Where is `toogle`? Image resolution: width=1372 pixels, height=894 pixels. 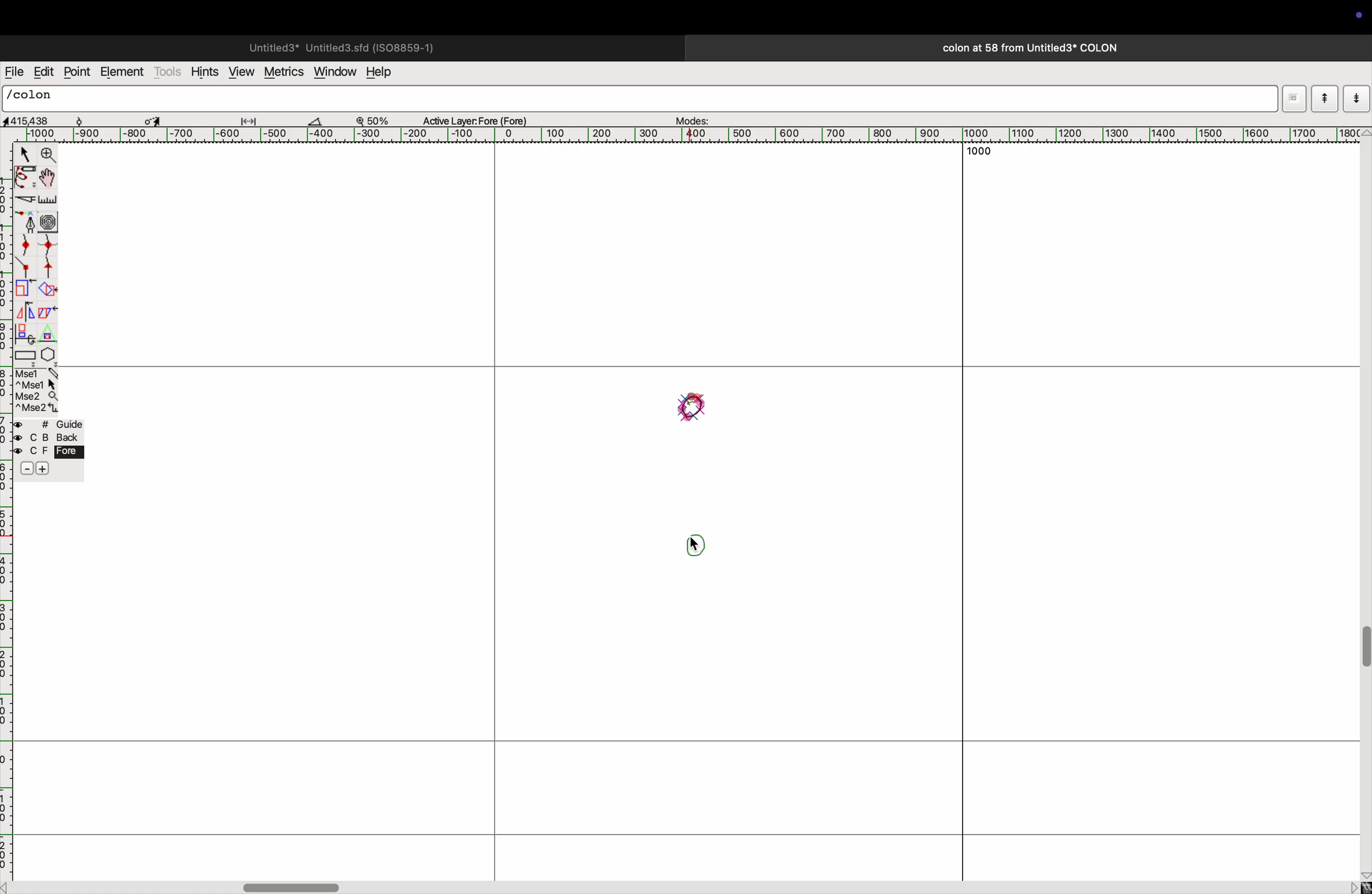 toogle is located at coordinates (47, 179).